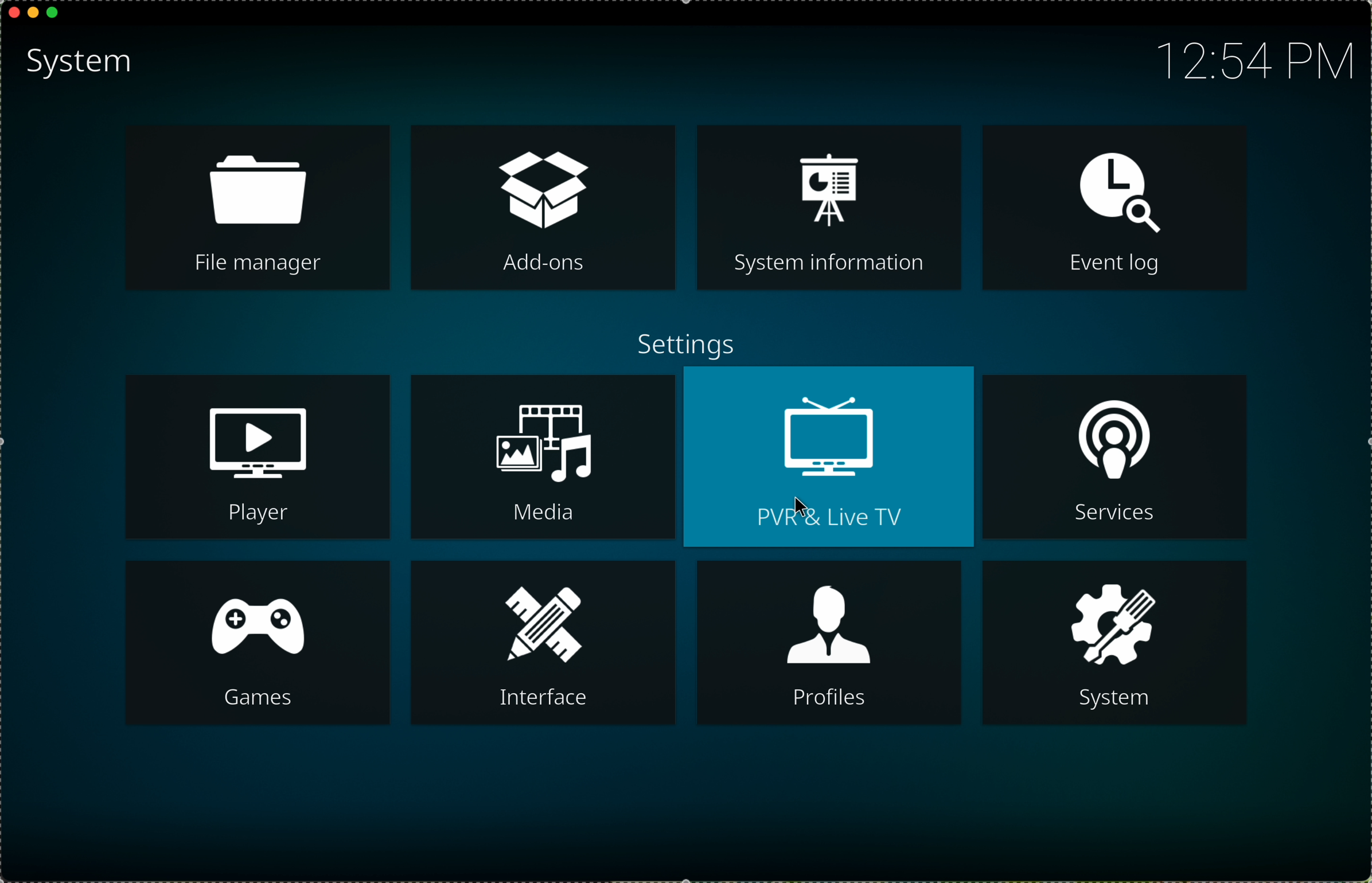 The height and width of the screenshot is (883, 1372). I want to click on system, so click(79, 61).